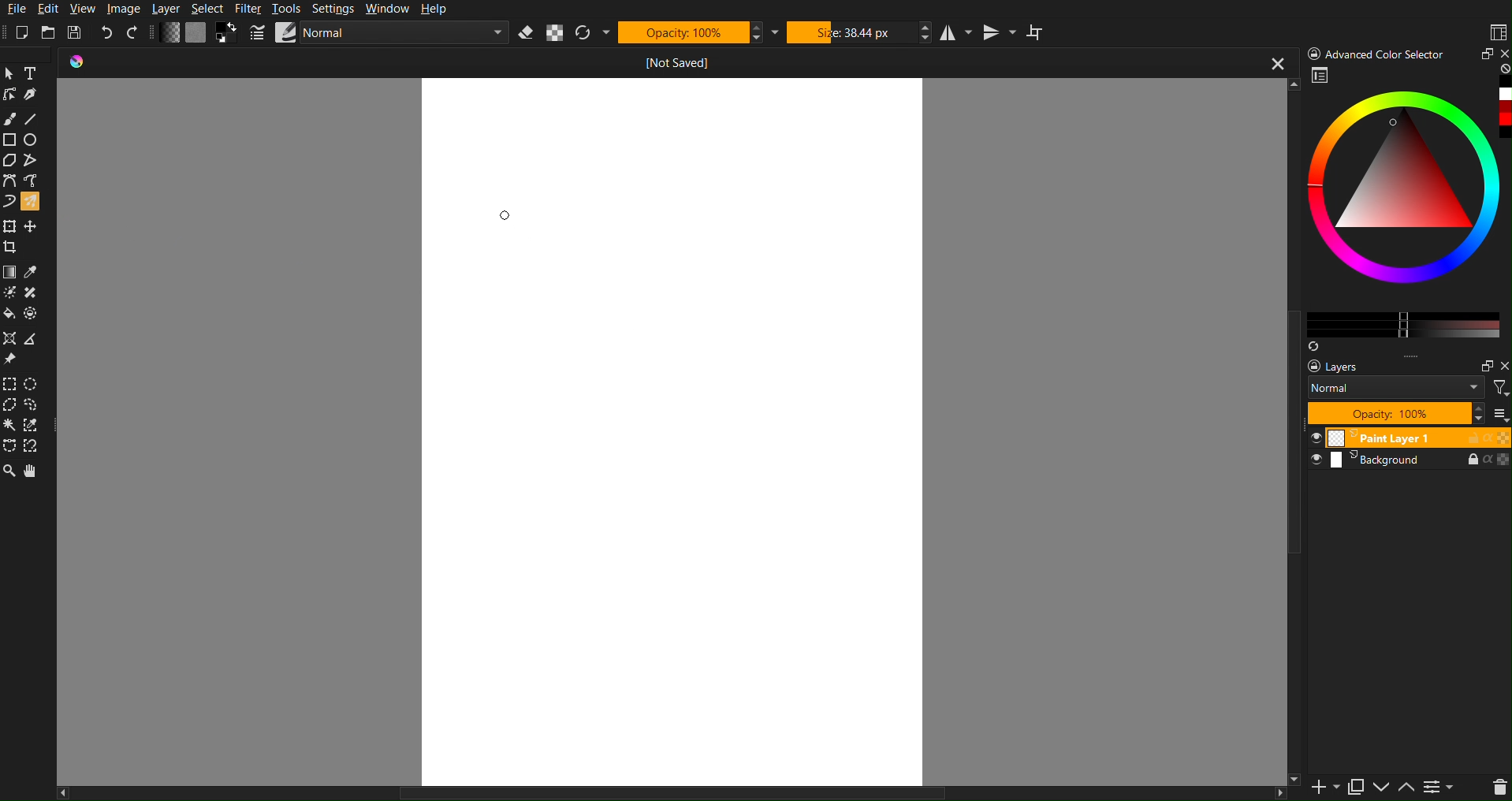 This screenshot has height=801, width=1512. What do you see at coordinates (597, 65) in the screenshot?
I see `Current Document` at bounding box center [597, 65].